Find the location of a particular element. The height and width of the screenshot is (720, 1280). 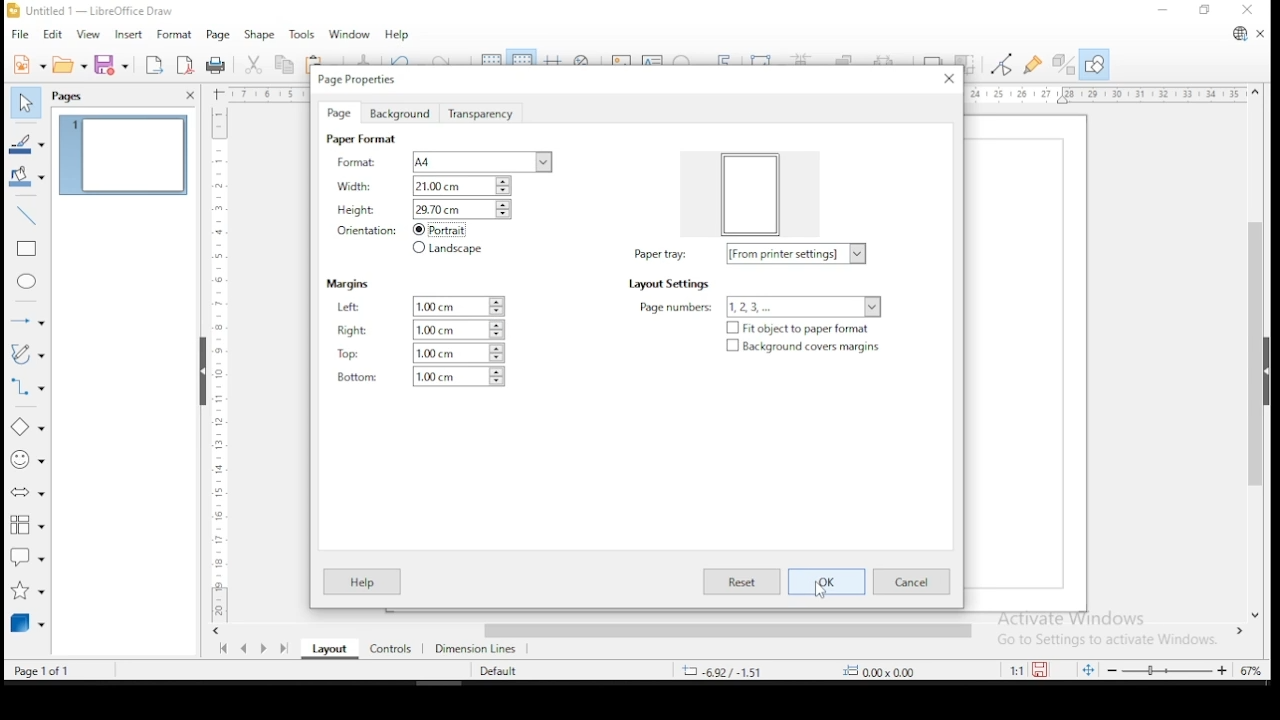

orientation is located at coordinates (368, 232).